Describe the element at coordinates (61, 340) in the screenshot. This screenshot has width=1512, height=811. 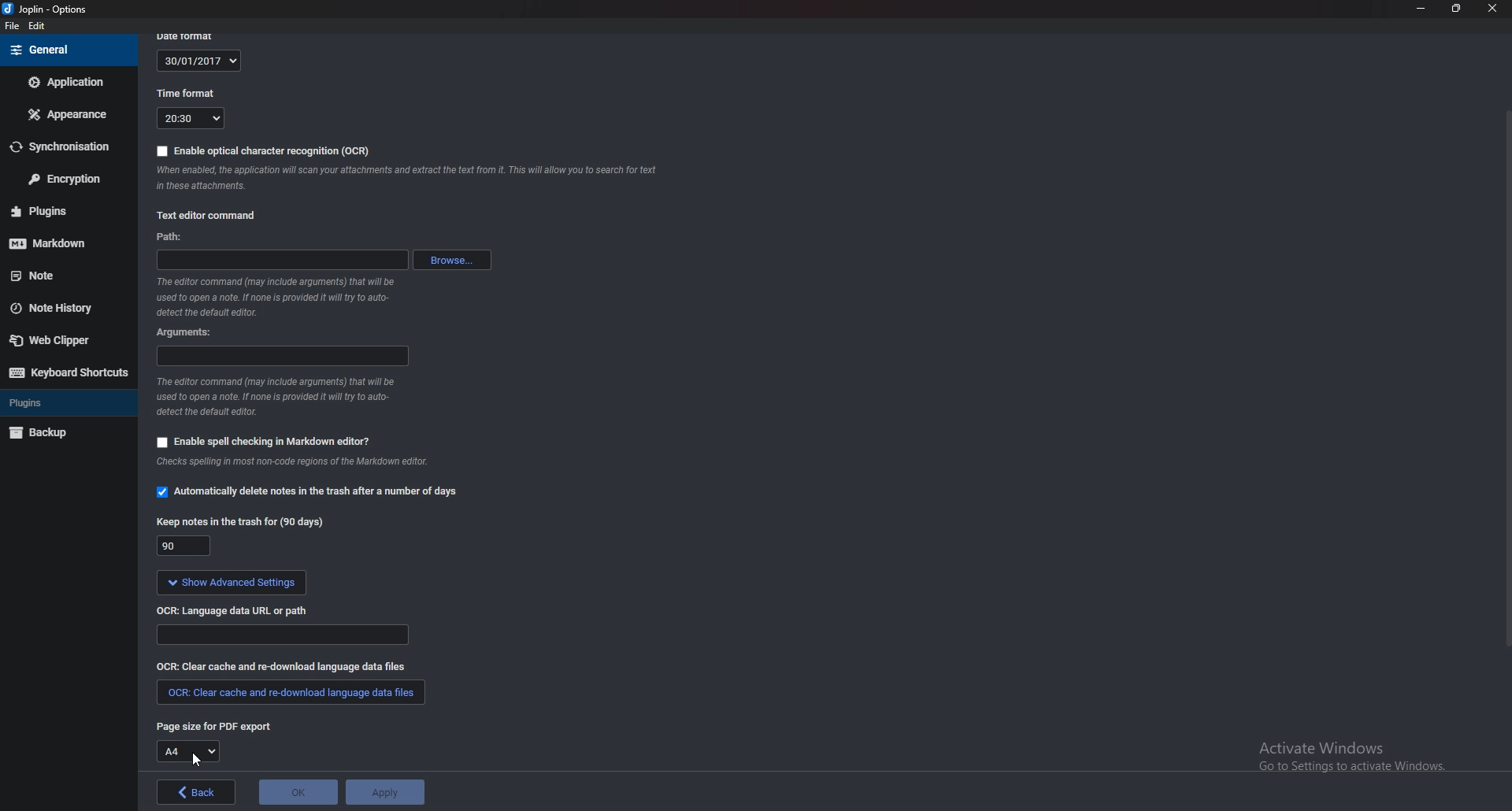
I see `Web clipper` at that location.